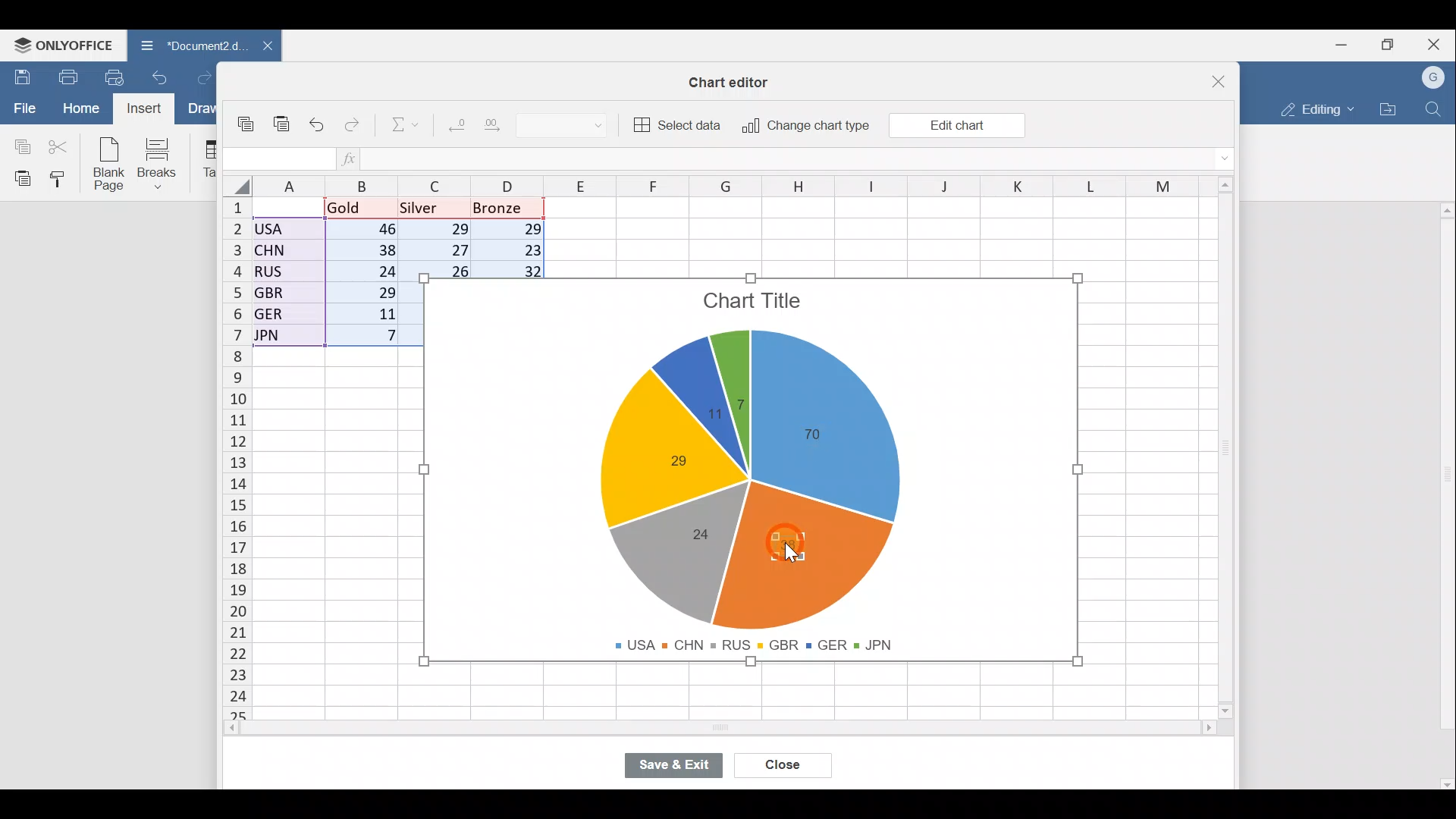 The height and width of the screenshot is (819, 1456). What do you see at coordinates (59, 146) in the screenshot?
I see `Cut` at bounding box center [59, 146].